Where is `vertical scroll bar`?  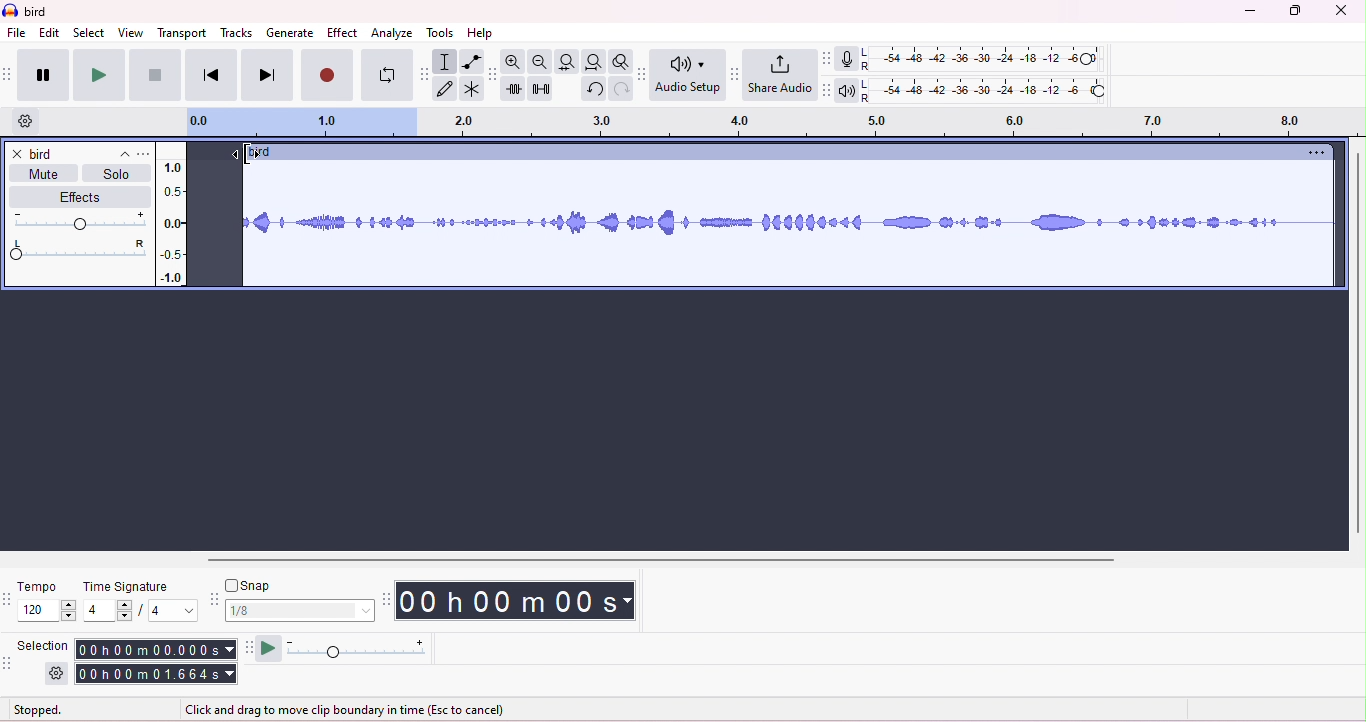 vertical scroll bar is located at coordinates (1356, 344).